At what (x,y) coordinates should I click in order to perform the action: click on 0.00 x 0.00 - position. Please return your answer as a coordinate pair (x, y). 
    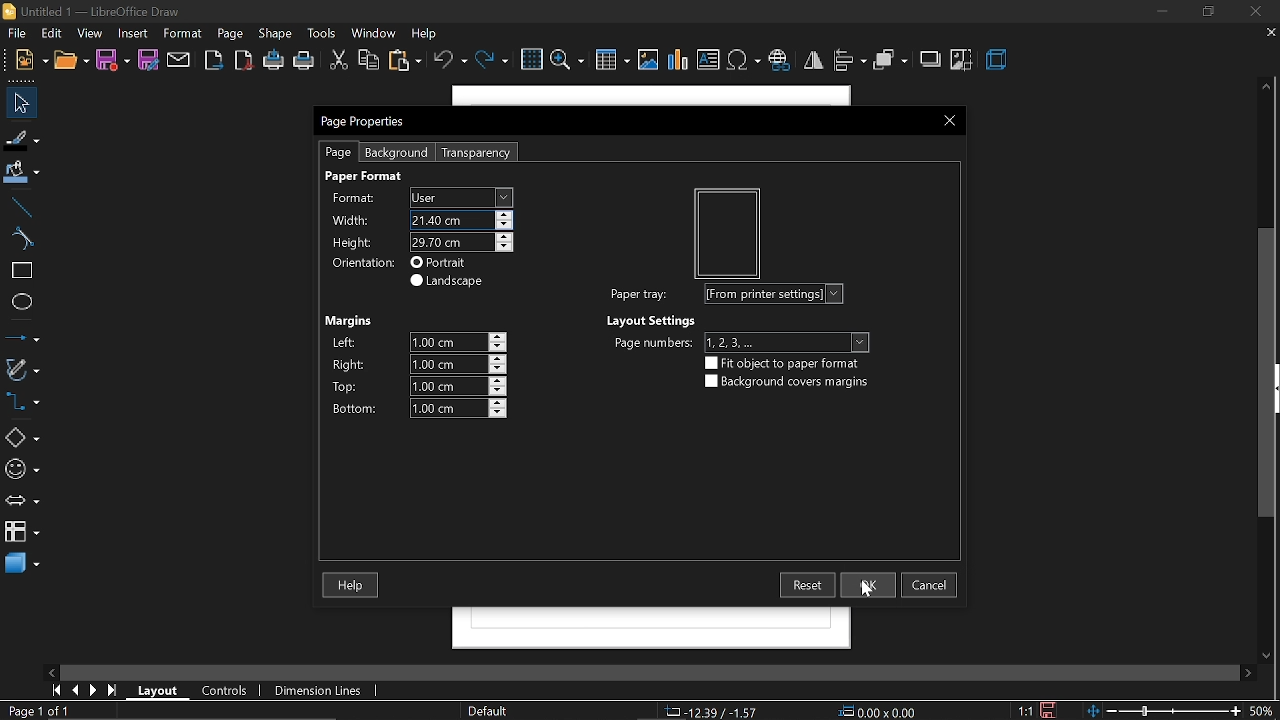
    Looking at the image, I should click on (879, 710).